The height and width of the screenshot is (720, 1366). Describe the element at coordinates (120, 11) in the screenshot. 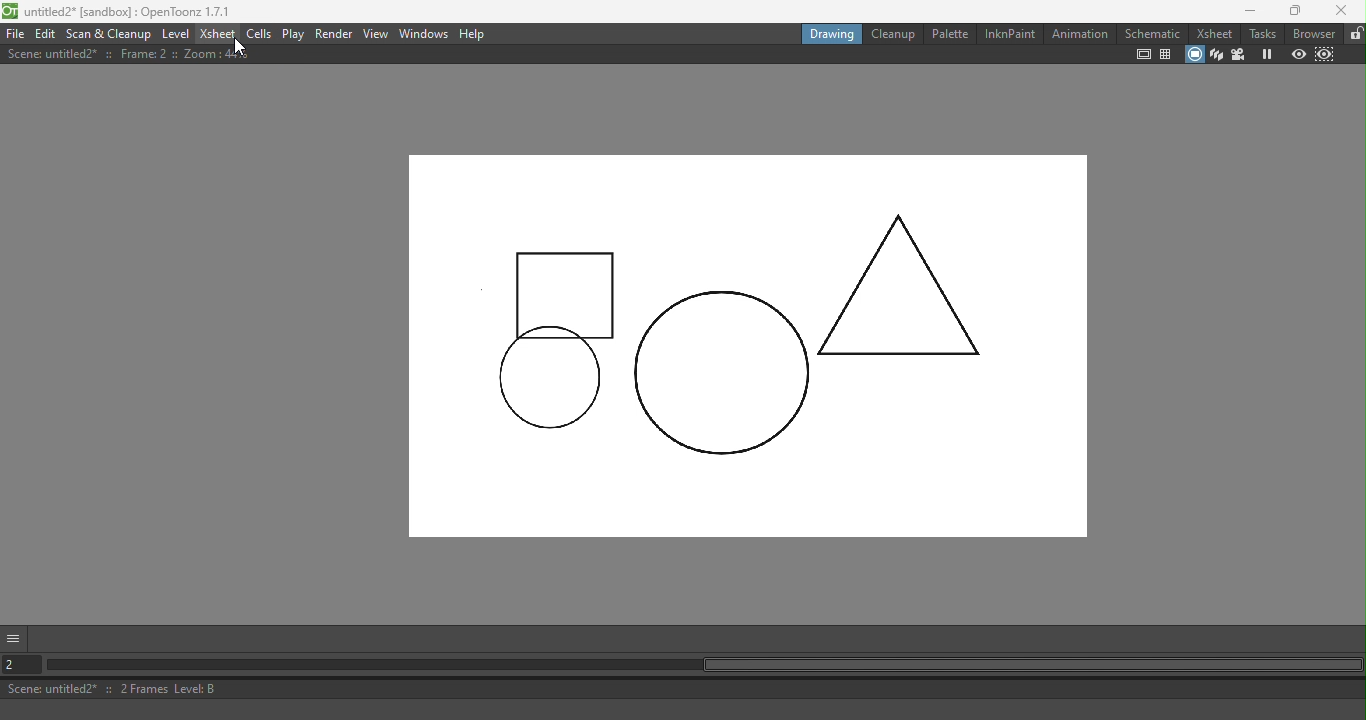

I see `untitled2* [sandbox] : OpenToonz 1.7.1` at that location.